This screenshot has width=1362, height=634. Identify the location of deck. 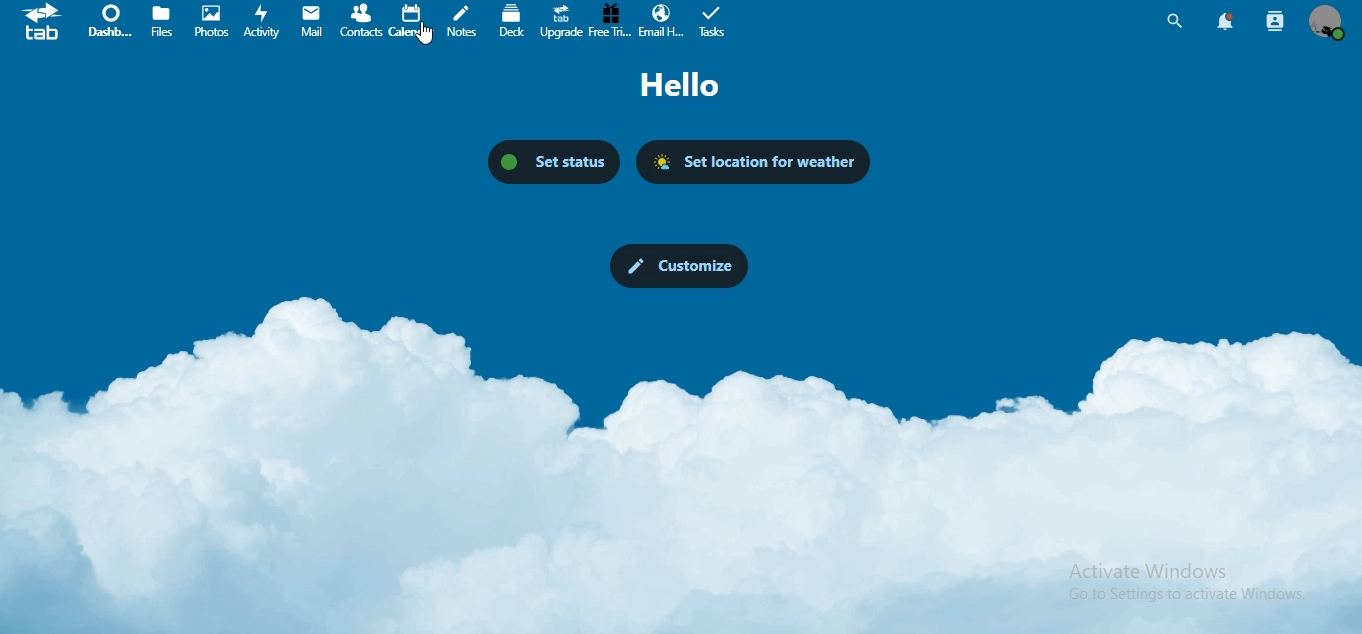
(513, 21).